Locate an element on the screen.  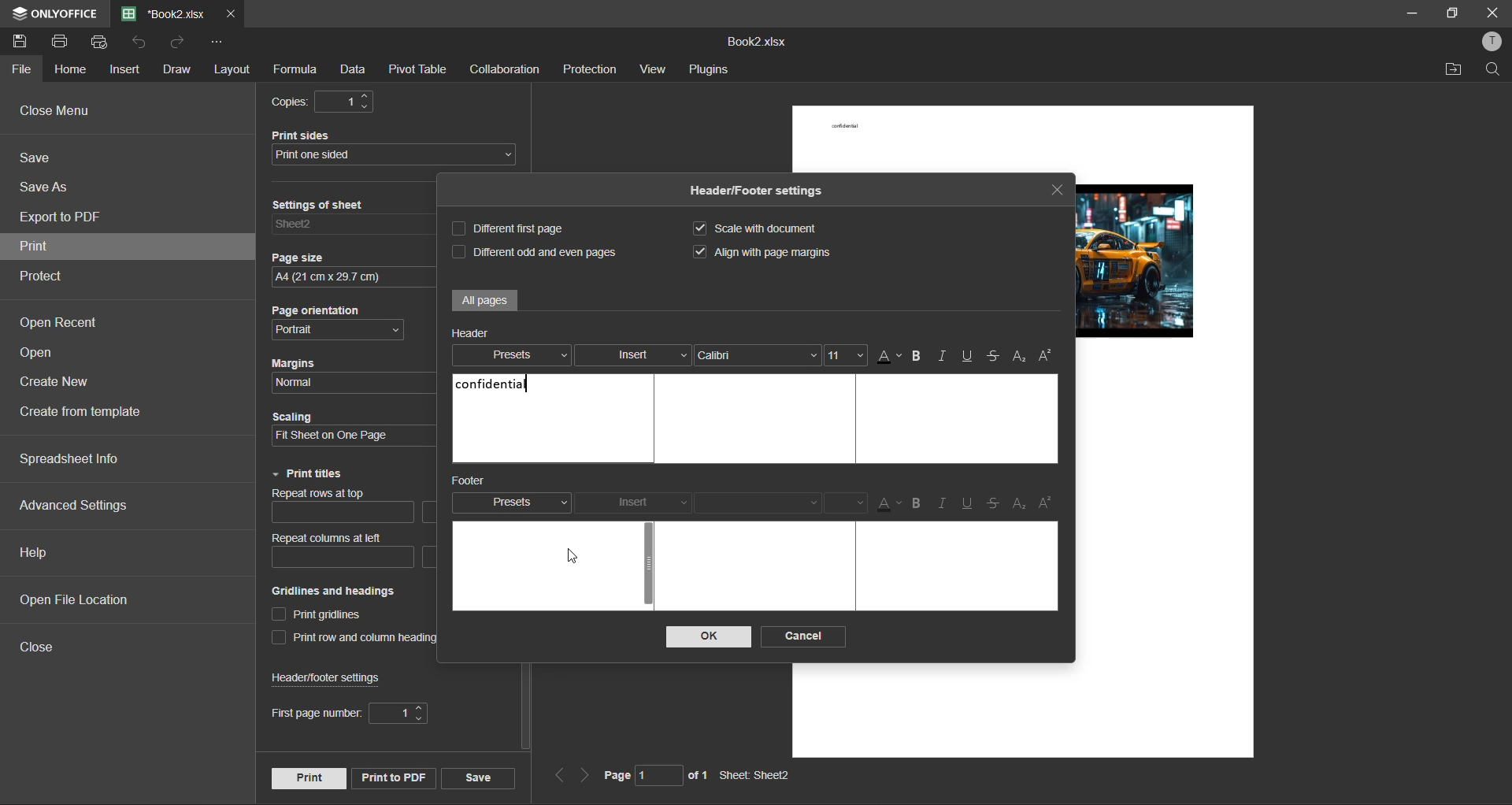
save is located at coordinates (478, 777).